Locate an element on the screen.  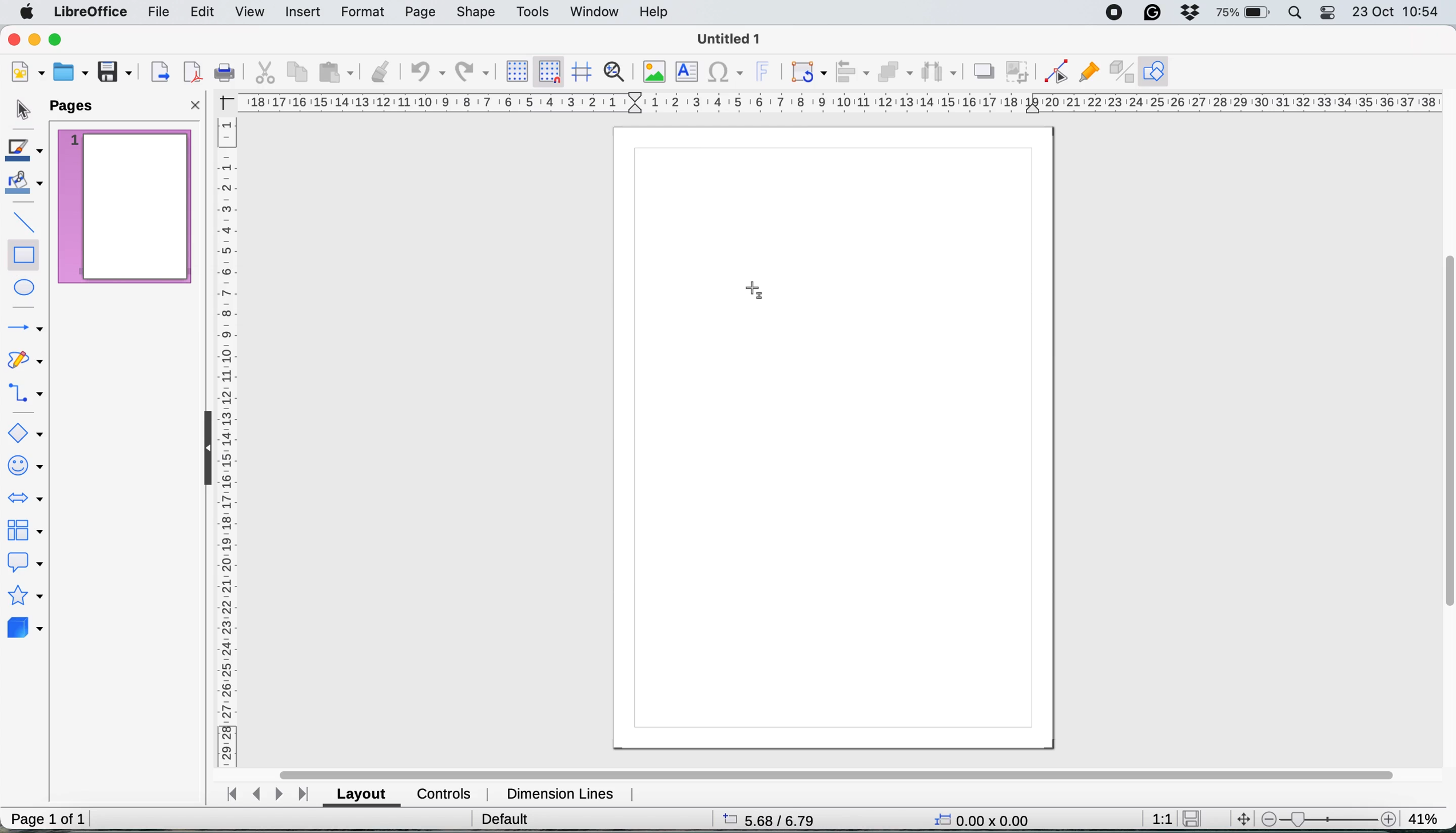
page is located at coordinates (420, 13).